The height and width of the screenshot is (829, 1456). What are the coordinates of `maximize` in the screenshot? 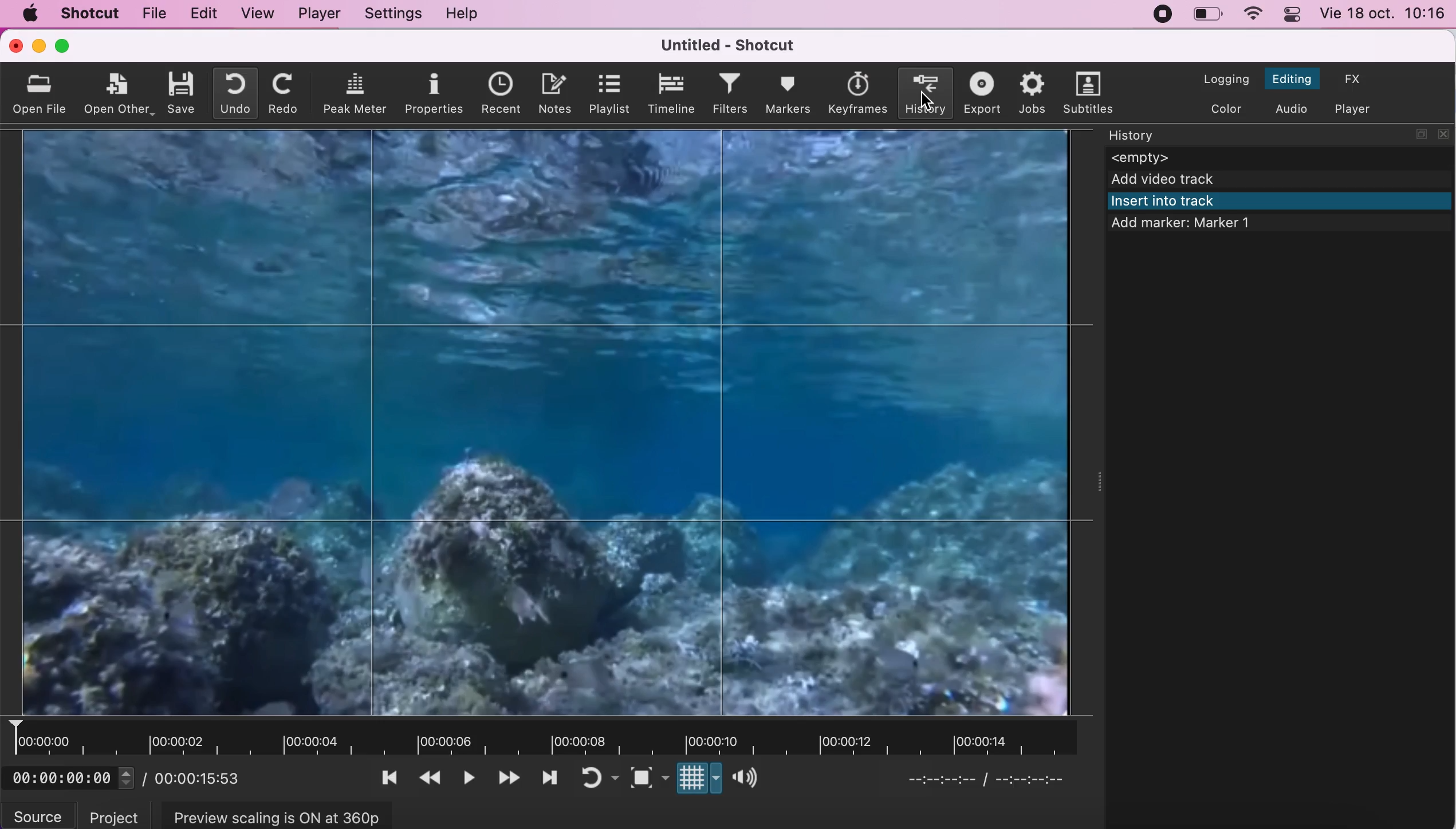 It's located at (69, 46).